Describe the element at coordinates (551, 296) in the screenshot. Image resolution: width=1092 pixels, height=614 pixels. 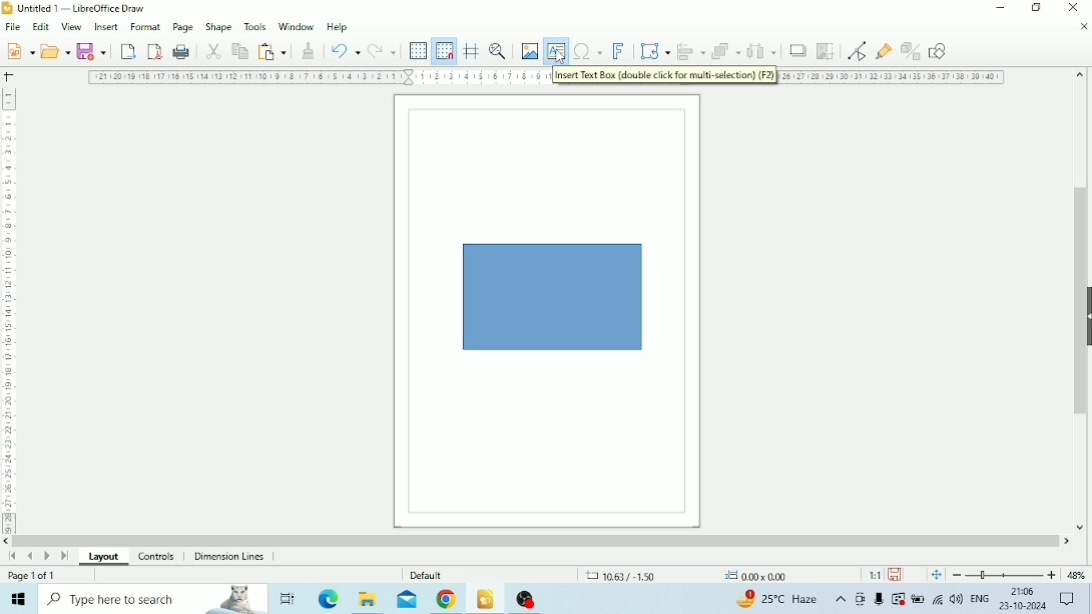
I see `Shape` at that location.